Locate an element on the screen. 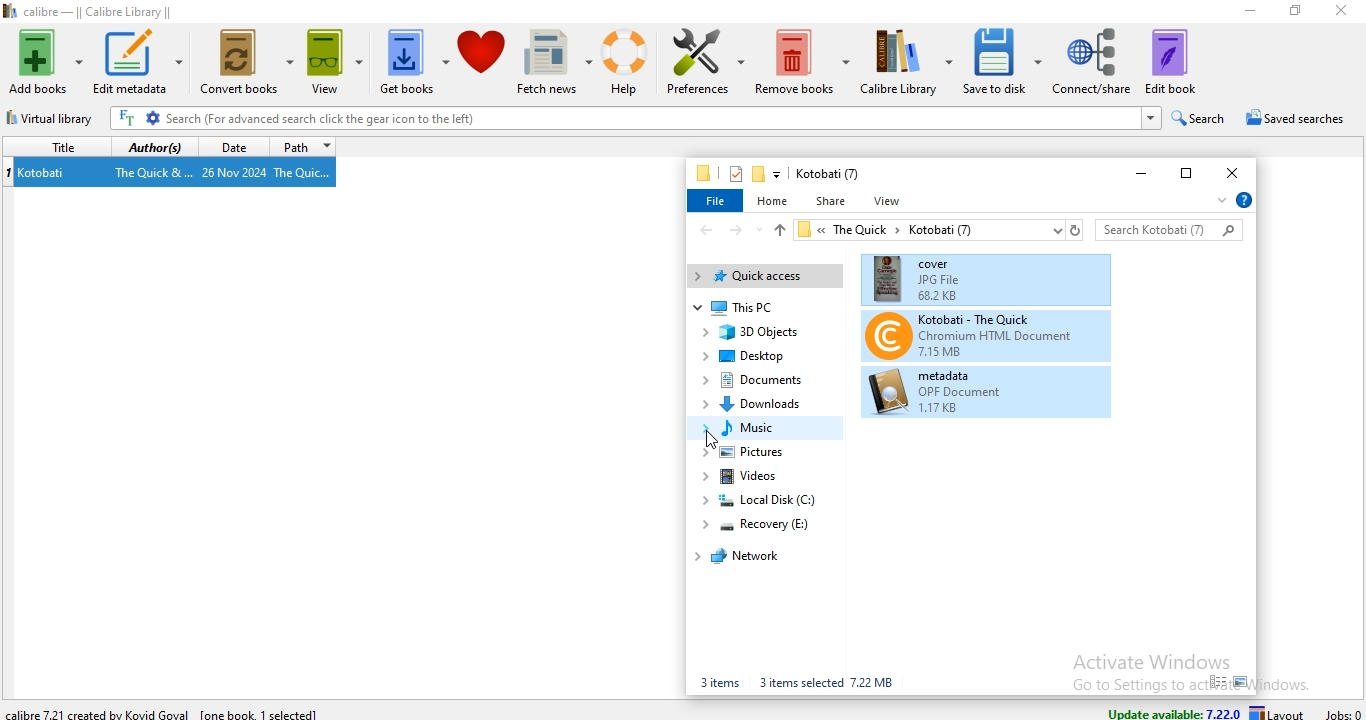 The image size is (1366, 720). file manager logo is located at coordinates (705, 173).